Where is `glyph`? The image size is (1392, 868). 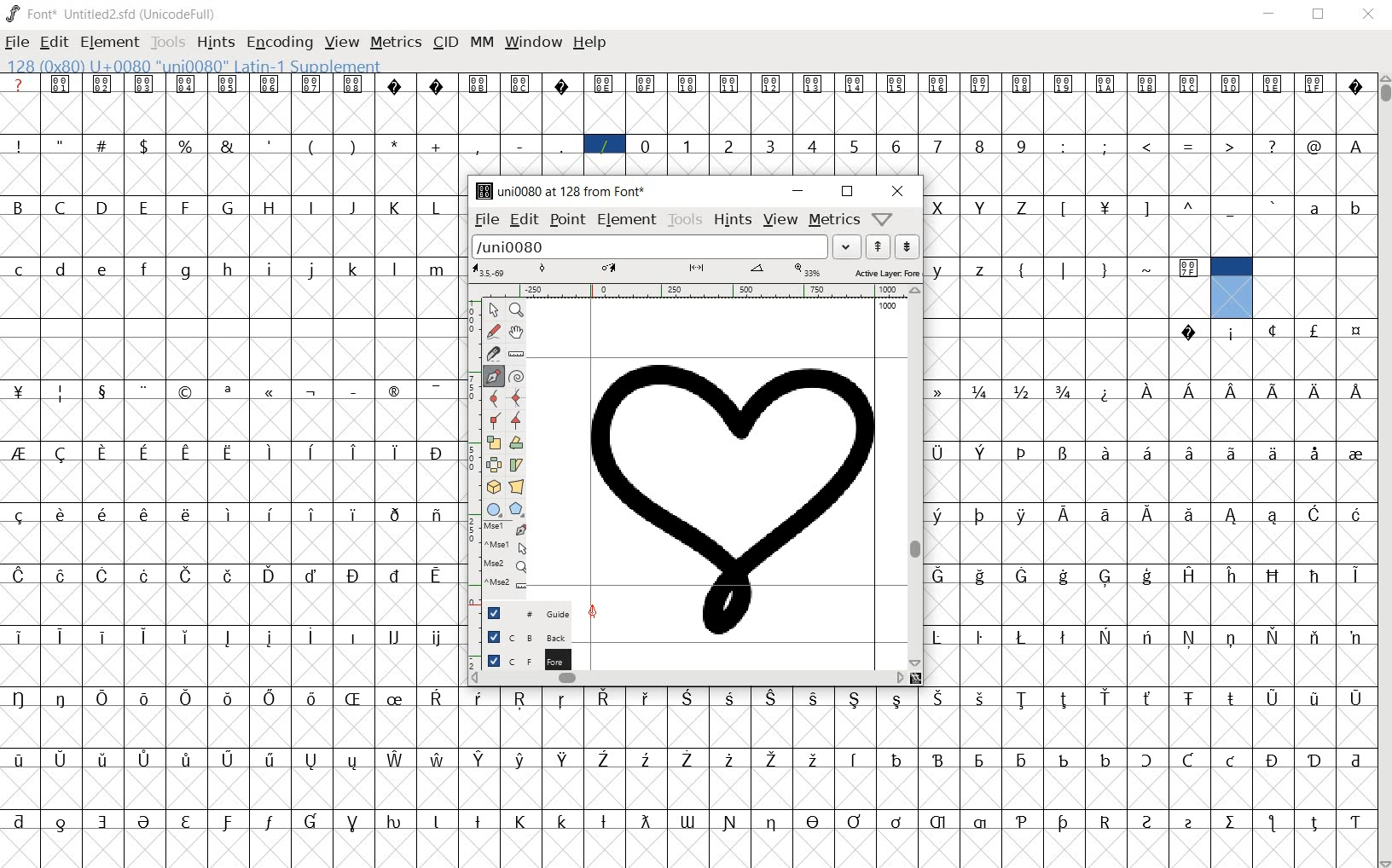 glyph is located at coordinates (270, 208).